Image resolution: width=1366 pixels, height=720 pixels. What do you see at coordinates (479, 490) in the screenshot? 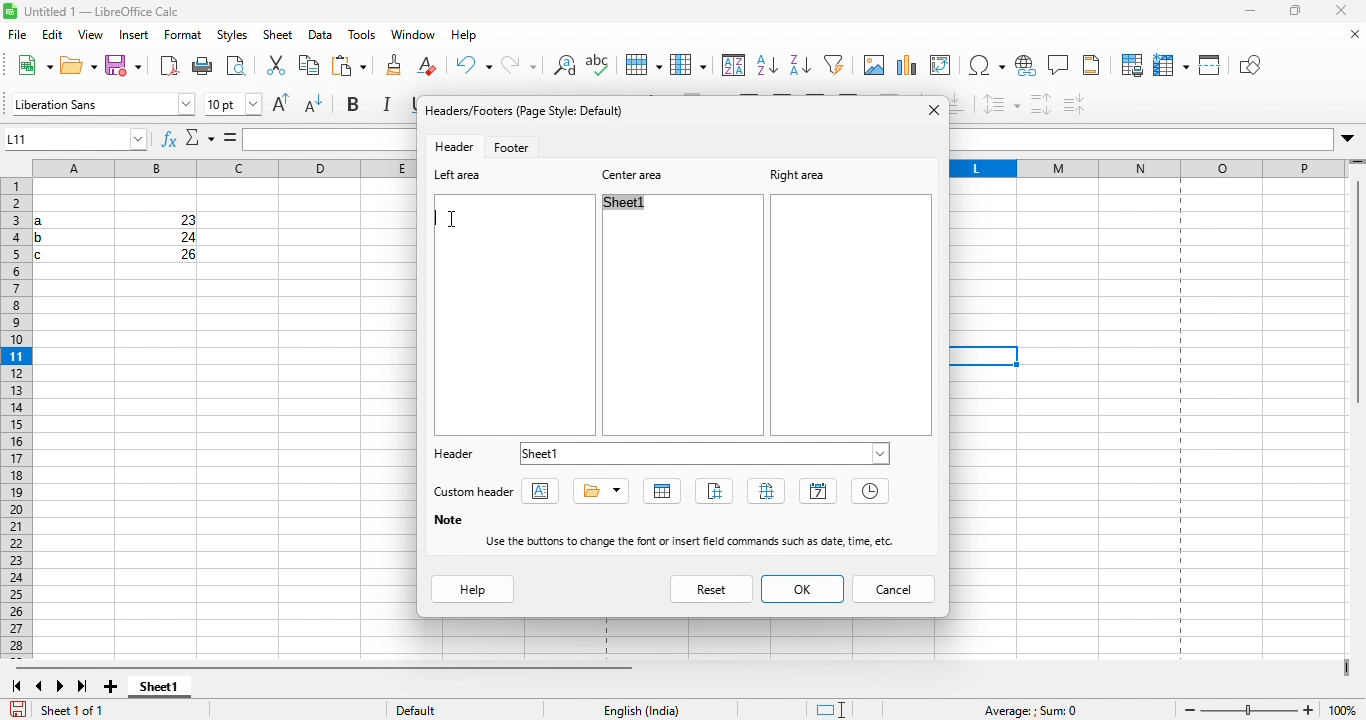
I see `custom header` at bounding box center [479, 490].